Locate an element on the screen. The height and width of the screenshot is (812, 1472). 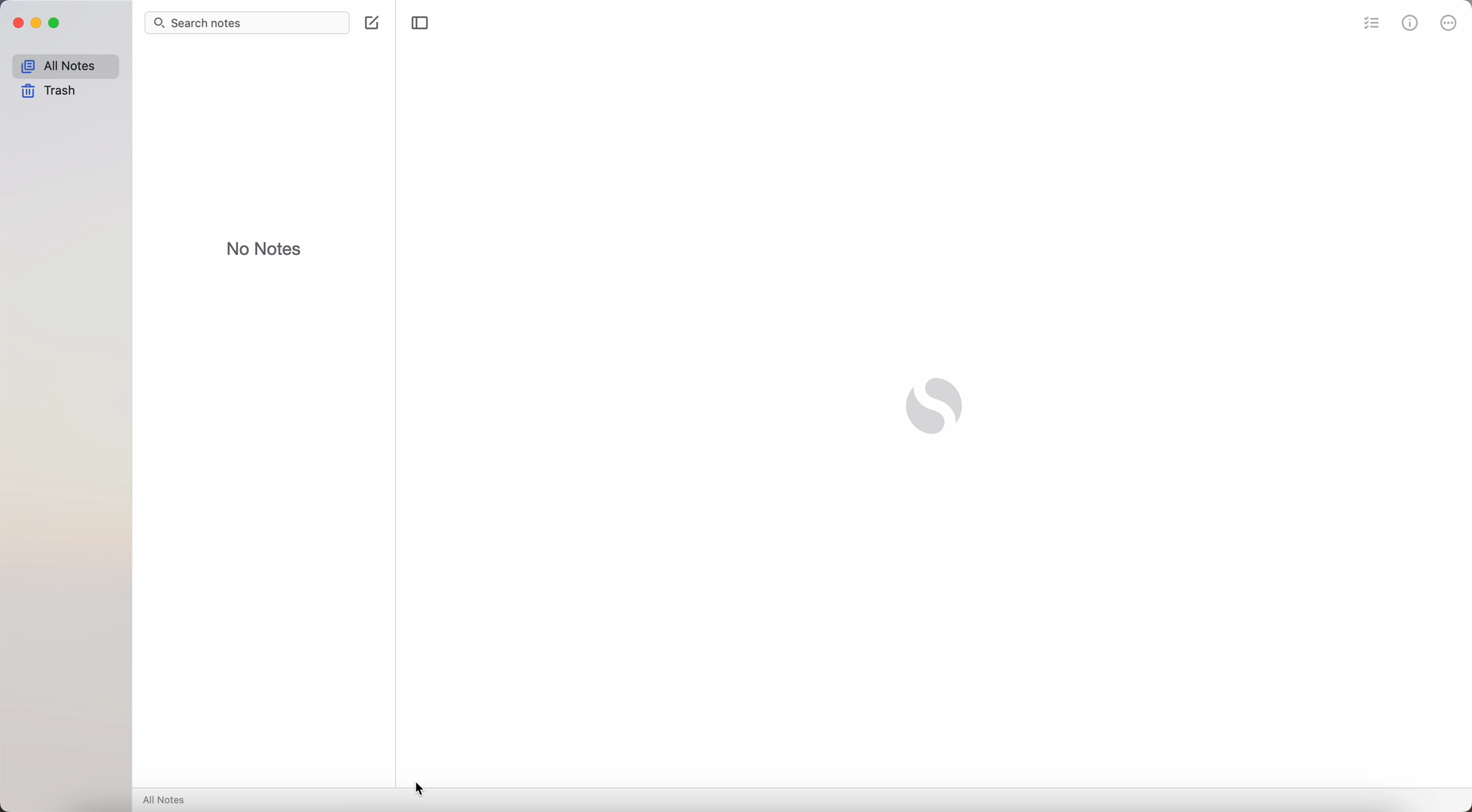
maximize Simplenote is located at coordinates (58, 25).